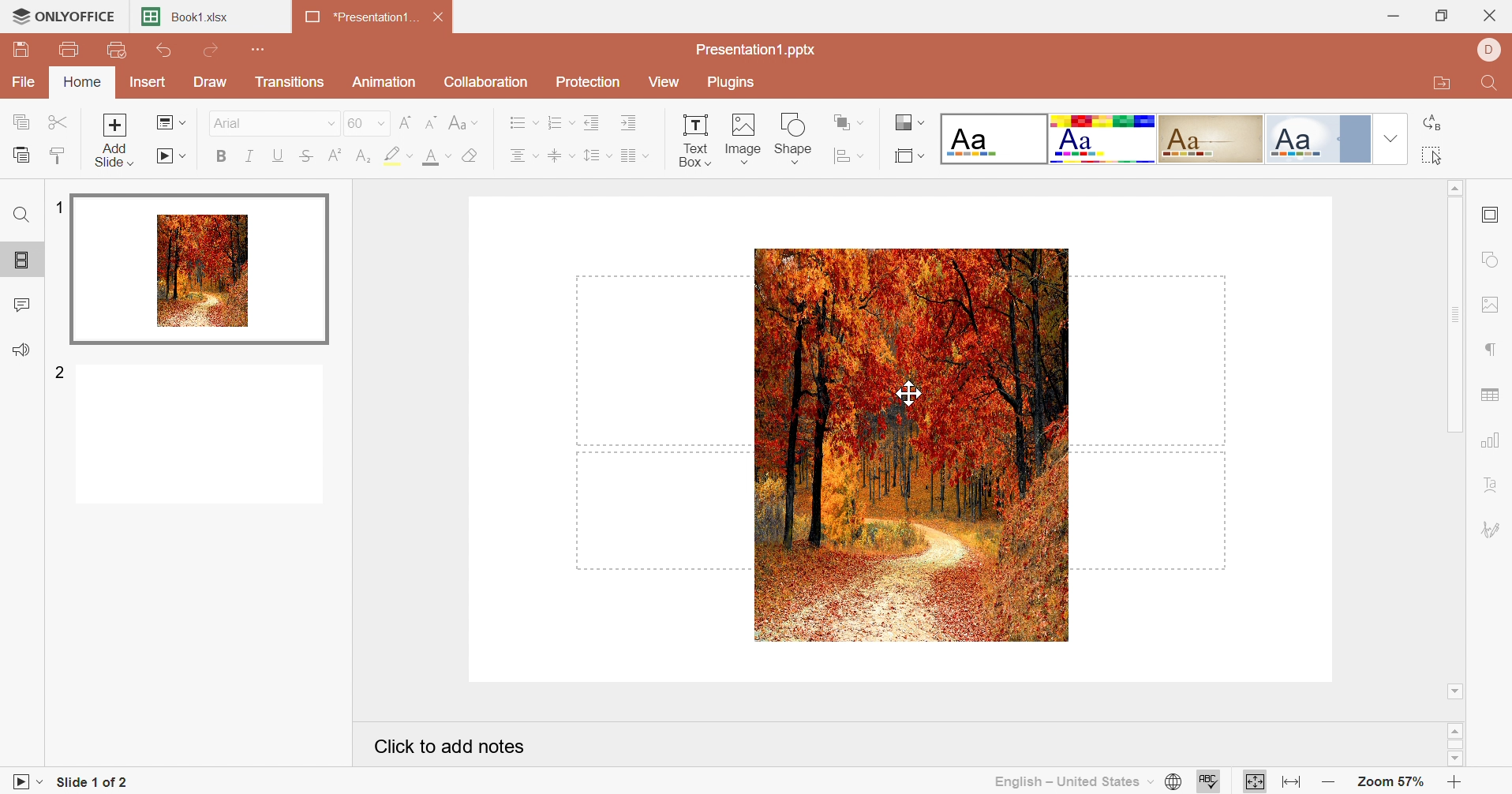 The height and width of the screenshot is (794, 1512). What do you see at coordinates (20, 307) in the screenshot?
I see `Comments` at bounding box center [20, 307].